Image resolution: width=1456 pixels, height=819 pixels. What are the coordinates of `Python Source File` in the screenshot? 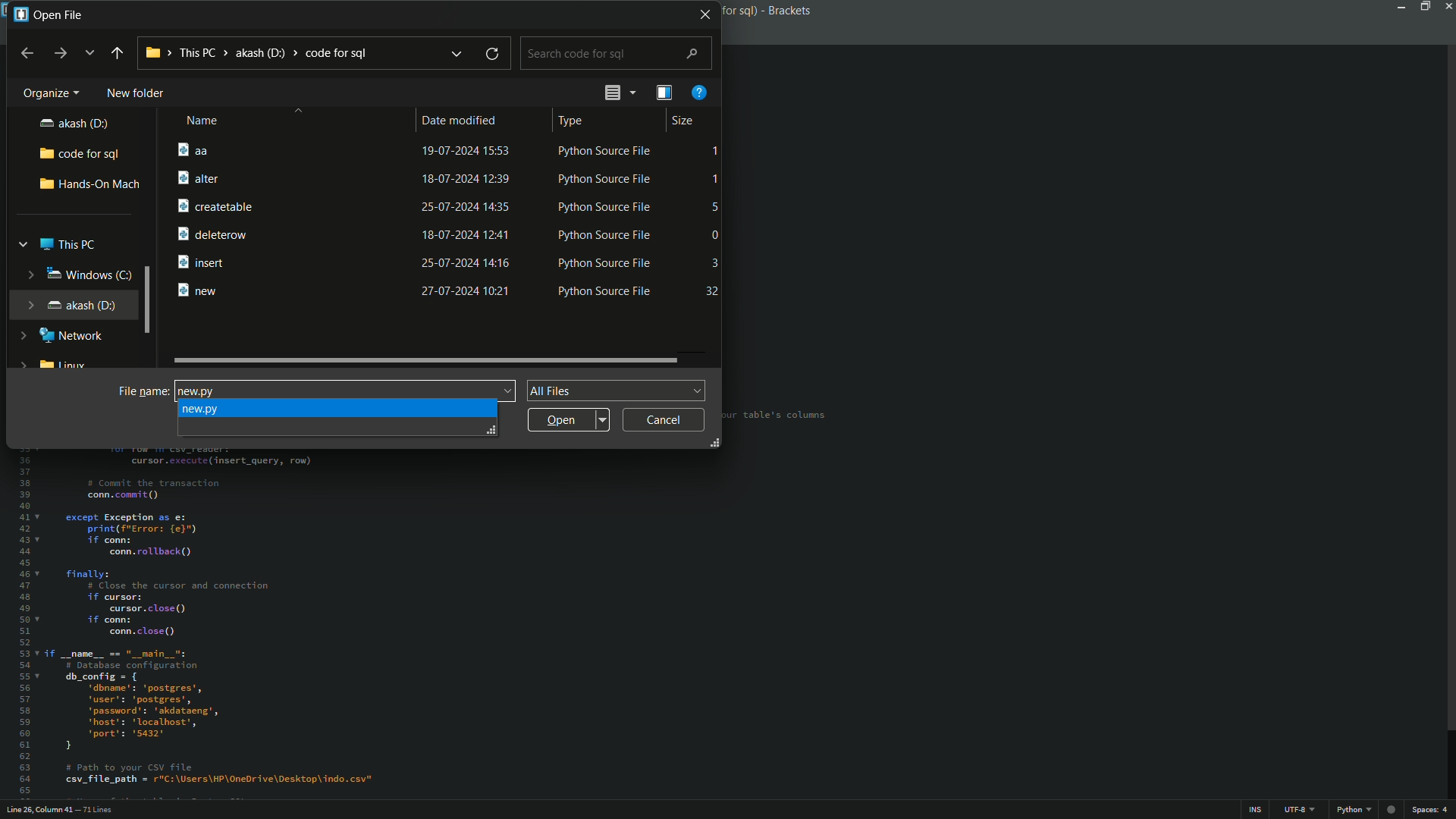 It's located at (607, 178).